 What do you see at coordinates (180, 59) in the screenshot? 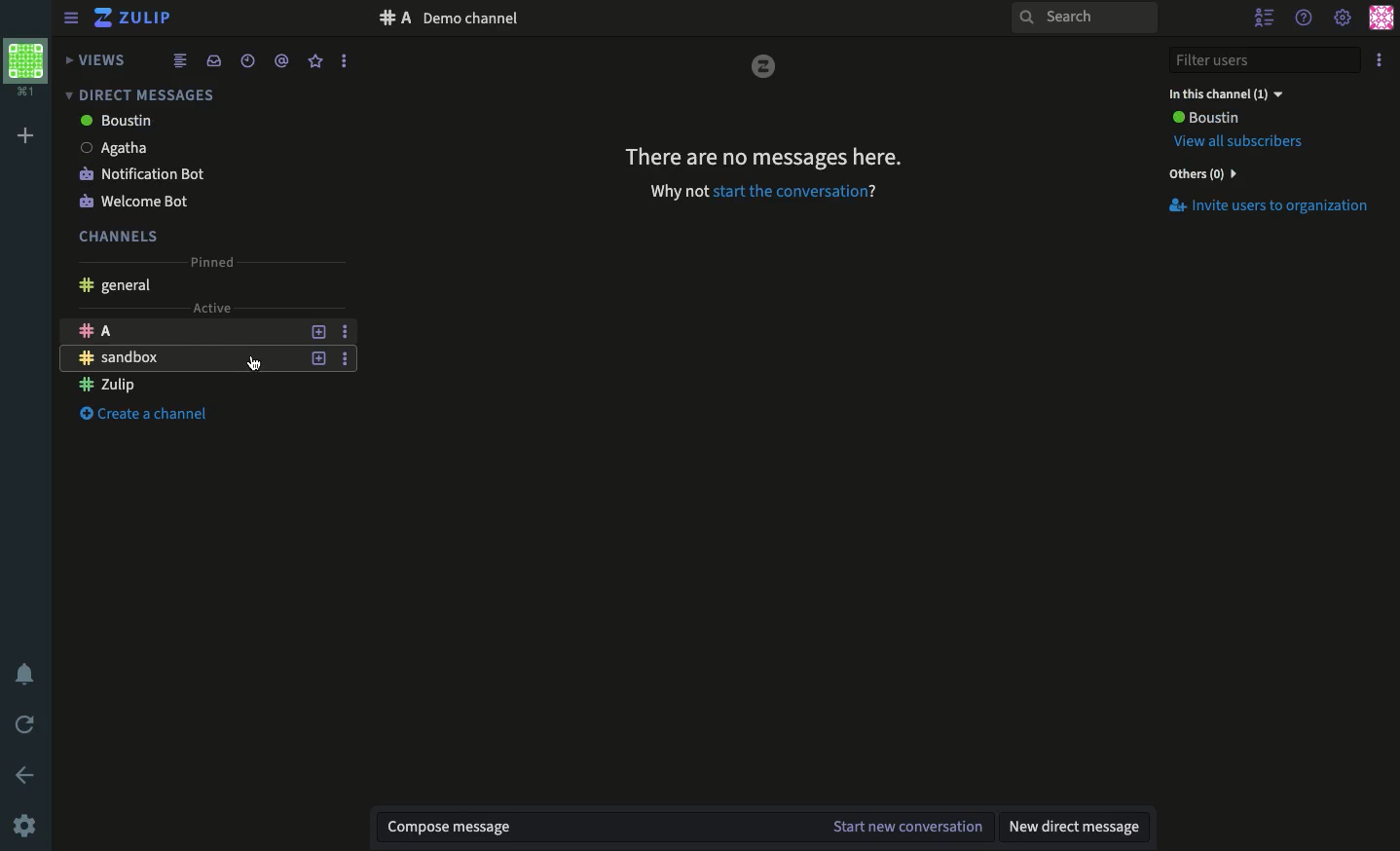
I see `Feed` at bounding box center [180, 59].